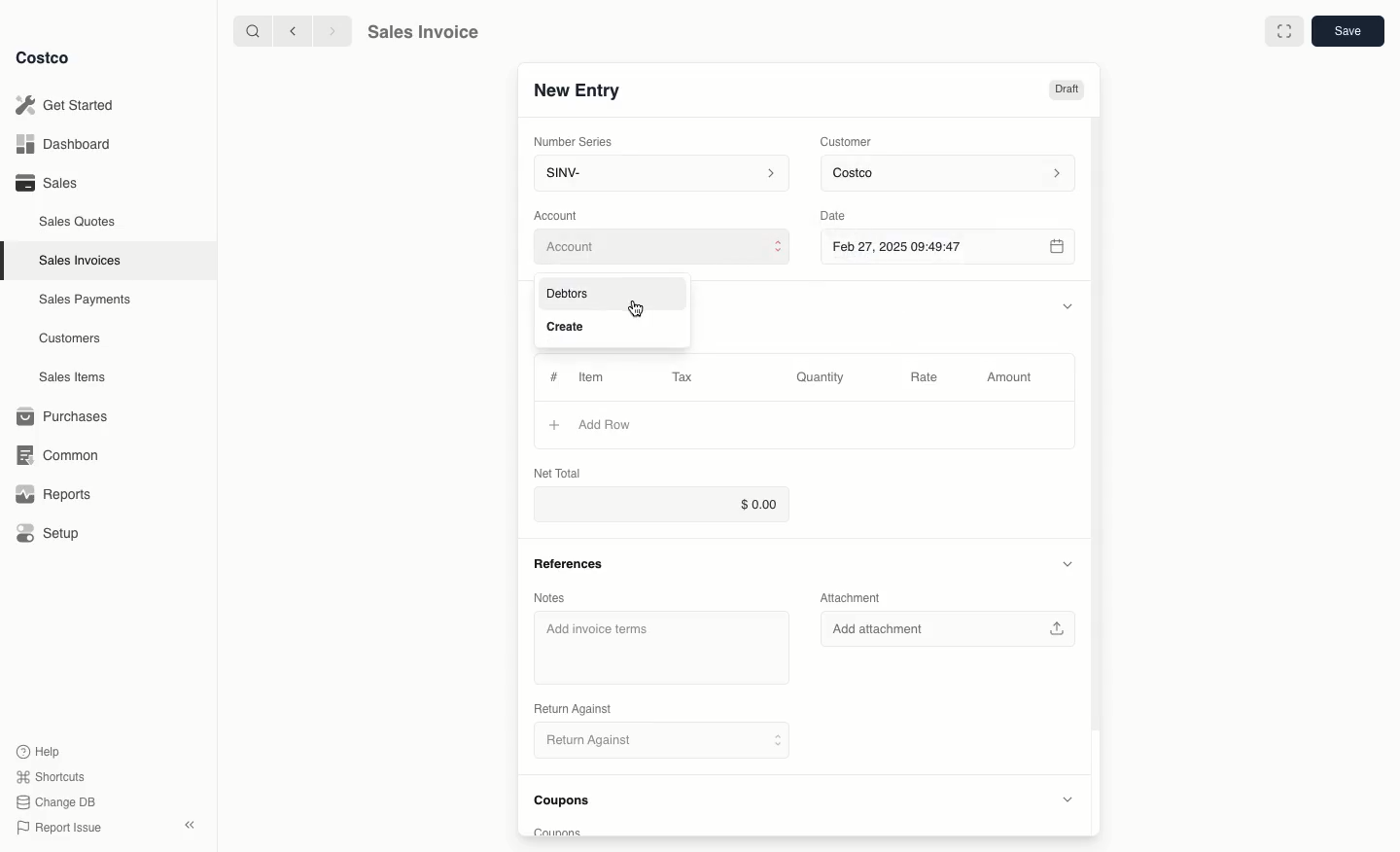 This screenshot has height=852, width=1400. Describe the element at coordinates (662, 248) in the screenshot. I see `Account` at that location.